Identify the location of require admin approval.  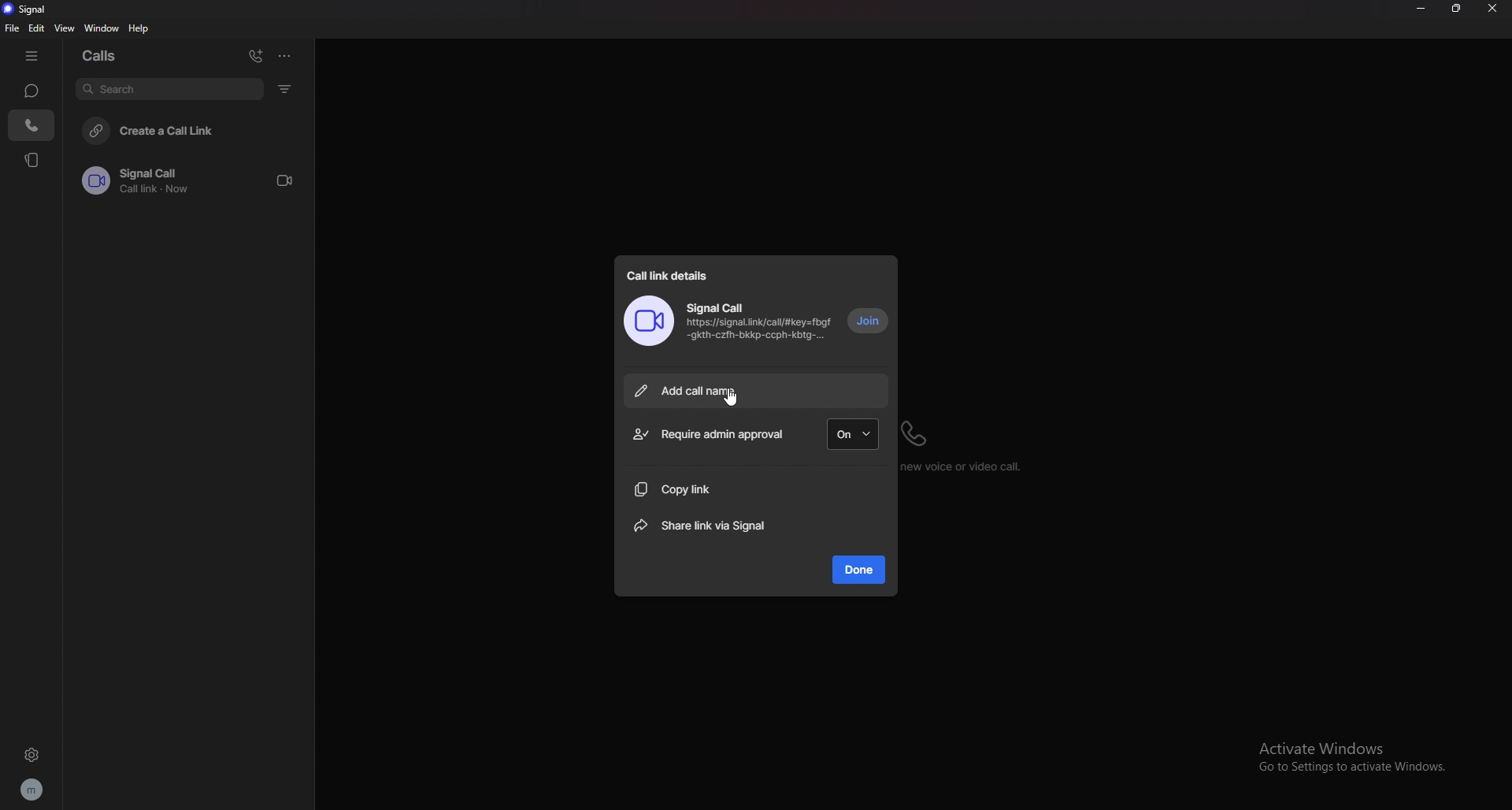
(707, 435).